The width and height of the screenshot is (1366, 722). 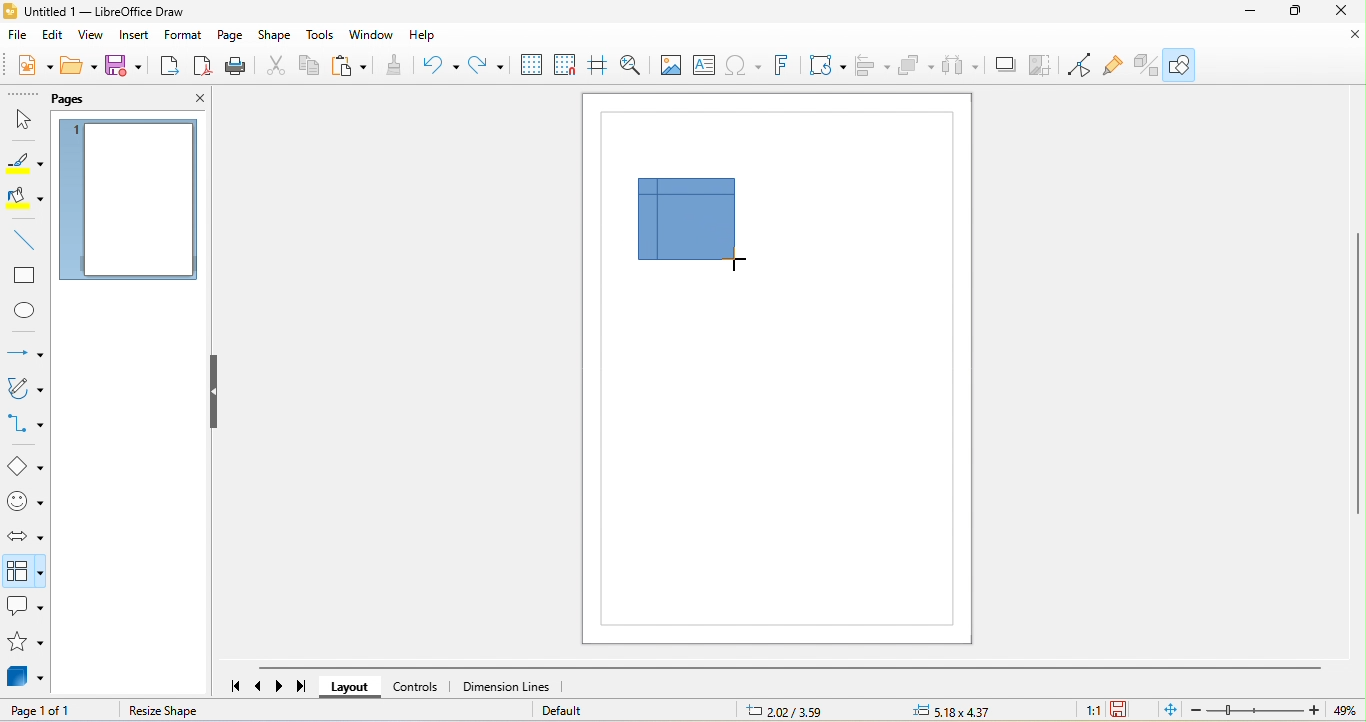 I want to click on snap to grid, so click(x=569, y=66).